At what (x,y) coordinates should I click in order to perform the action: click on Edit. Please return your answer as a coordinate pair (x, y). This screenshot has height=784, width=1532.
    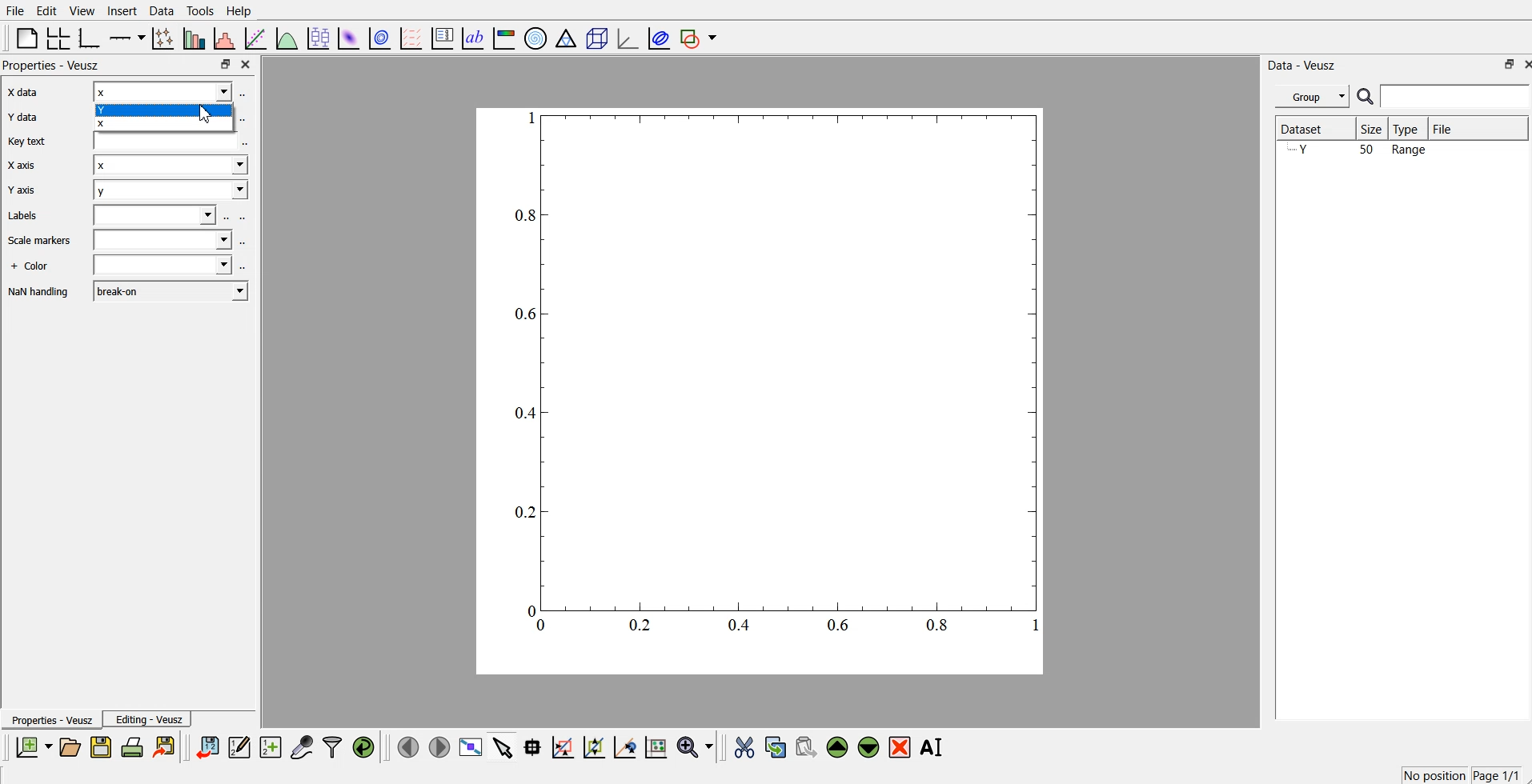
    Looking at the image, I should click on (46, 10).